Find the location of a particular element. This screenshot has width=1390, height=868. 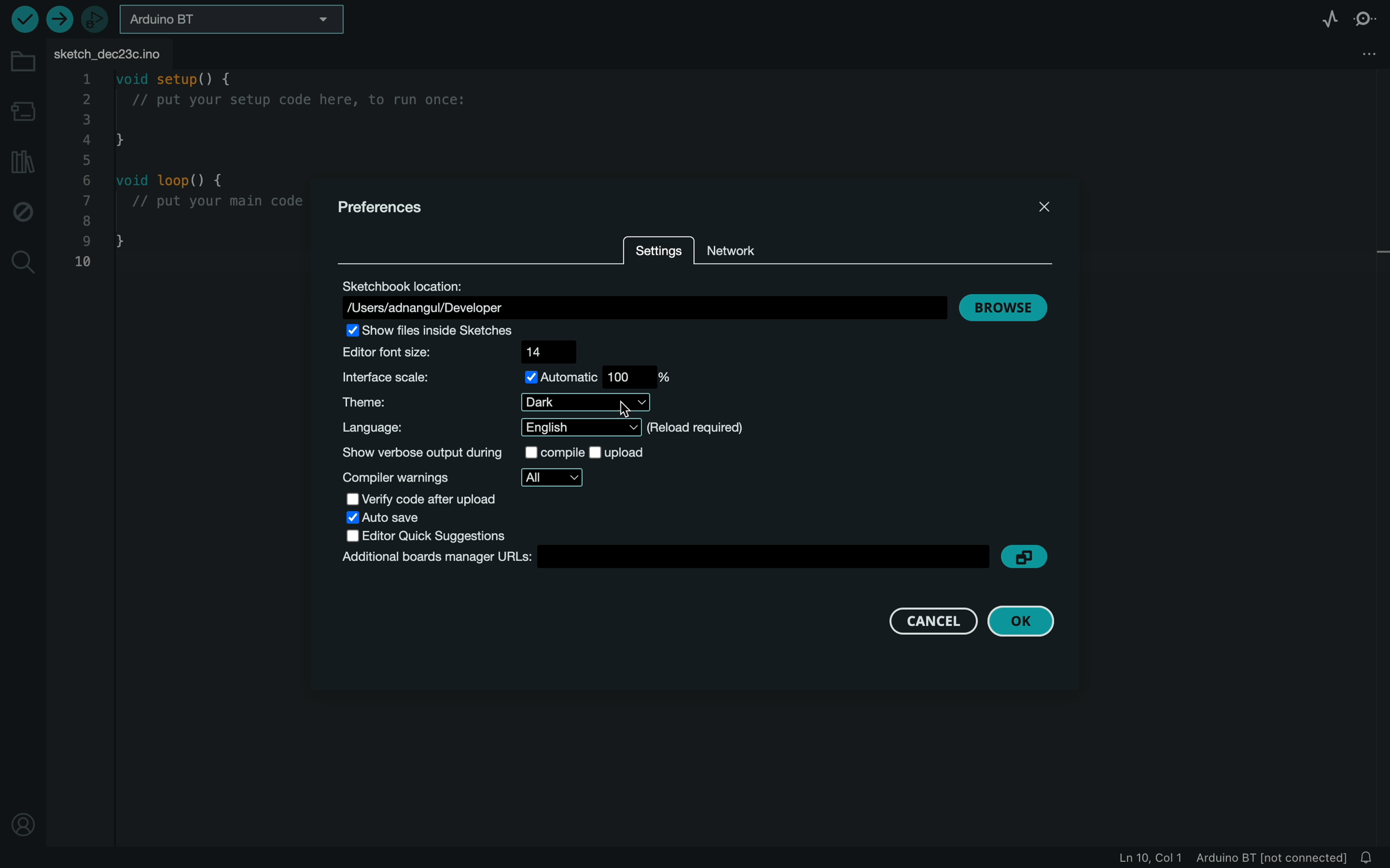

ok is located at coordinates (1028, 621).